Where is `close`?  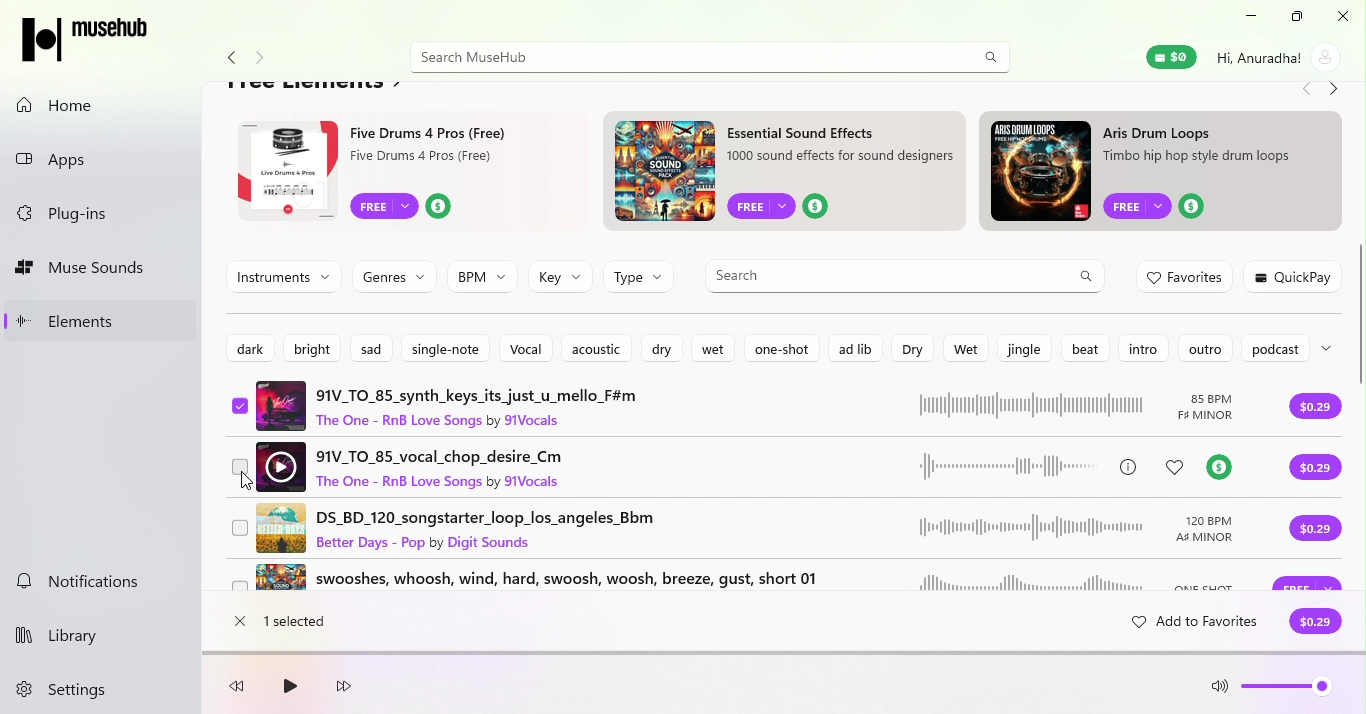
close is located at coordinates (1339, 16).